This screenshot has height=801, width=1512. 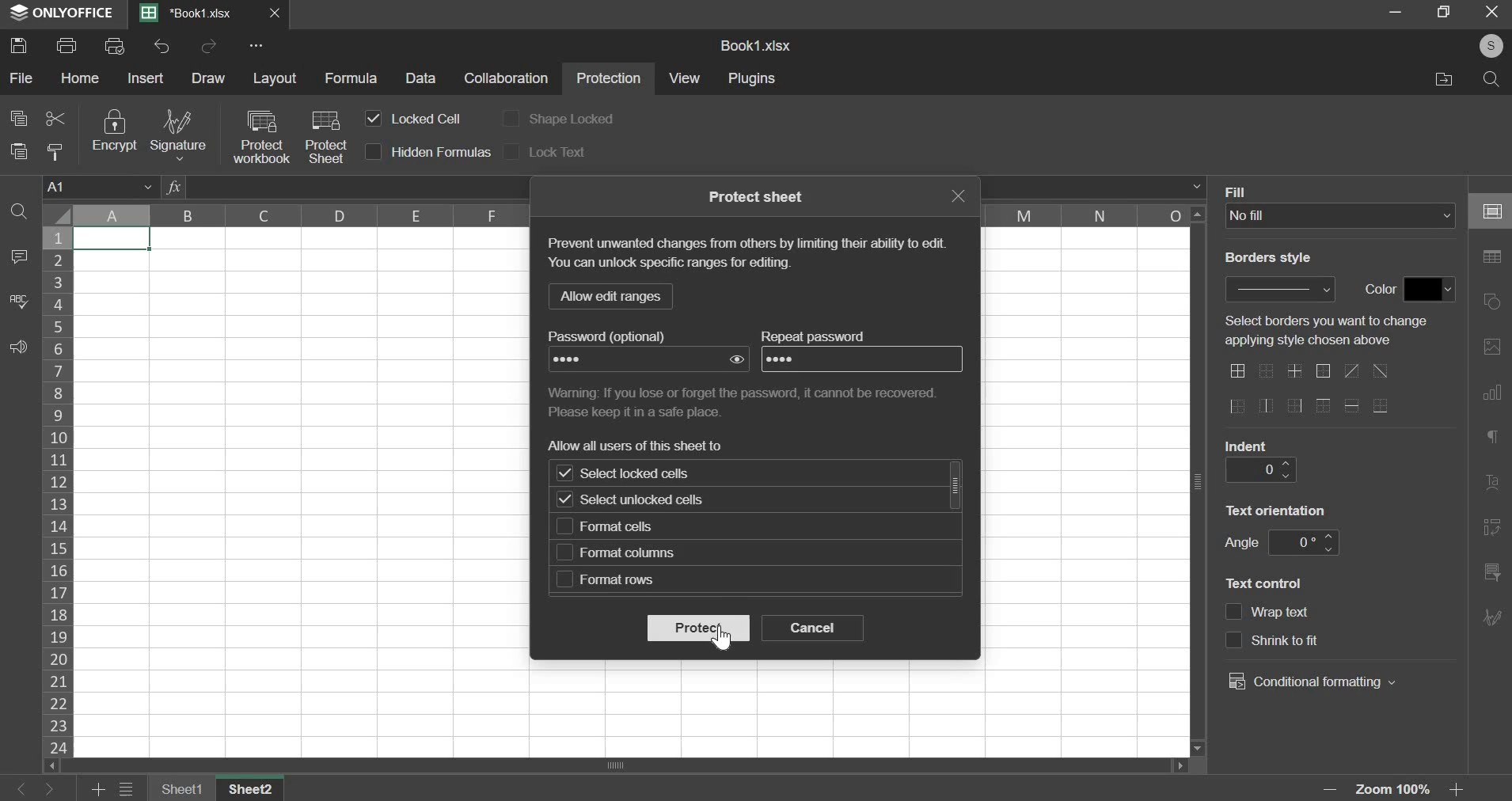 What do you see at coordinates (749, 400) in the screenshot?
I see `text` at bounding box center [749, 400].